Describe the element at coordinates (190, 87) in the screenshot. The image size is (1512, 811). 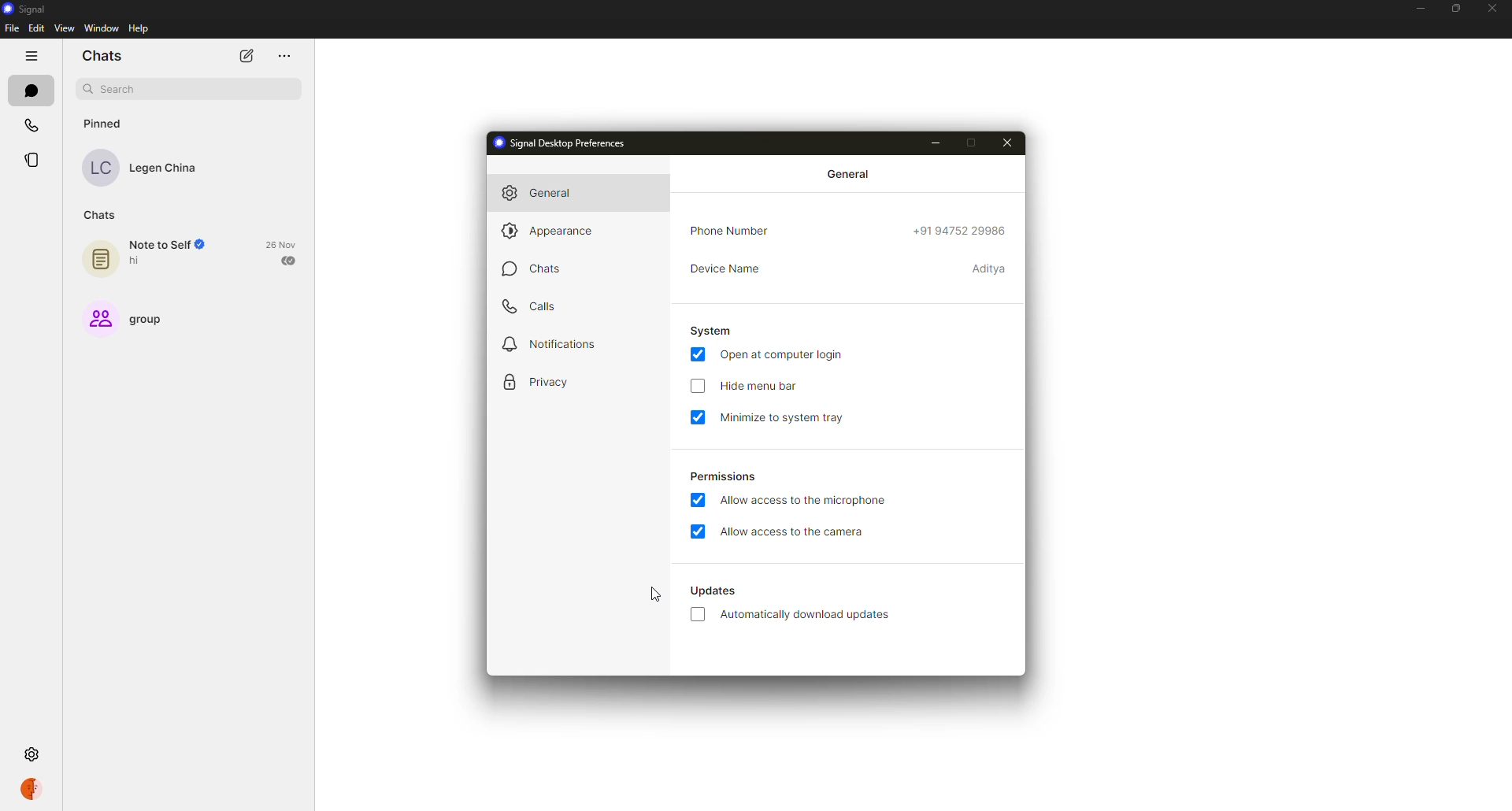
I see `search` at that location.